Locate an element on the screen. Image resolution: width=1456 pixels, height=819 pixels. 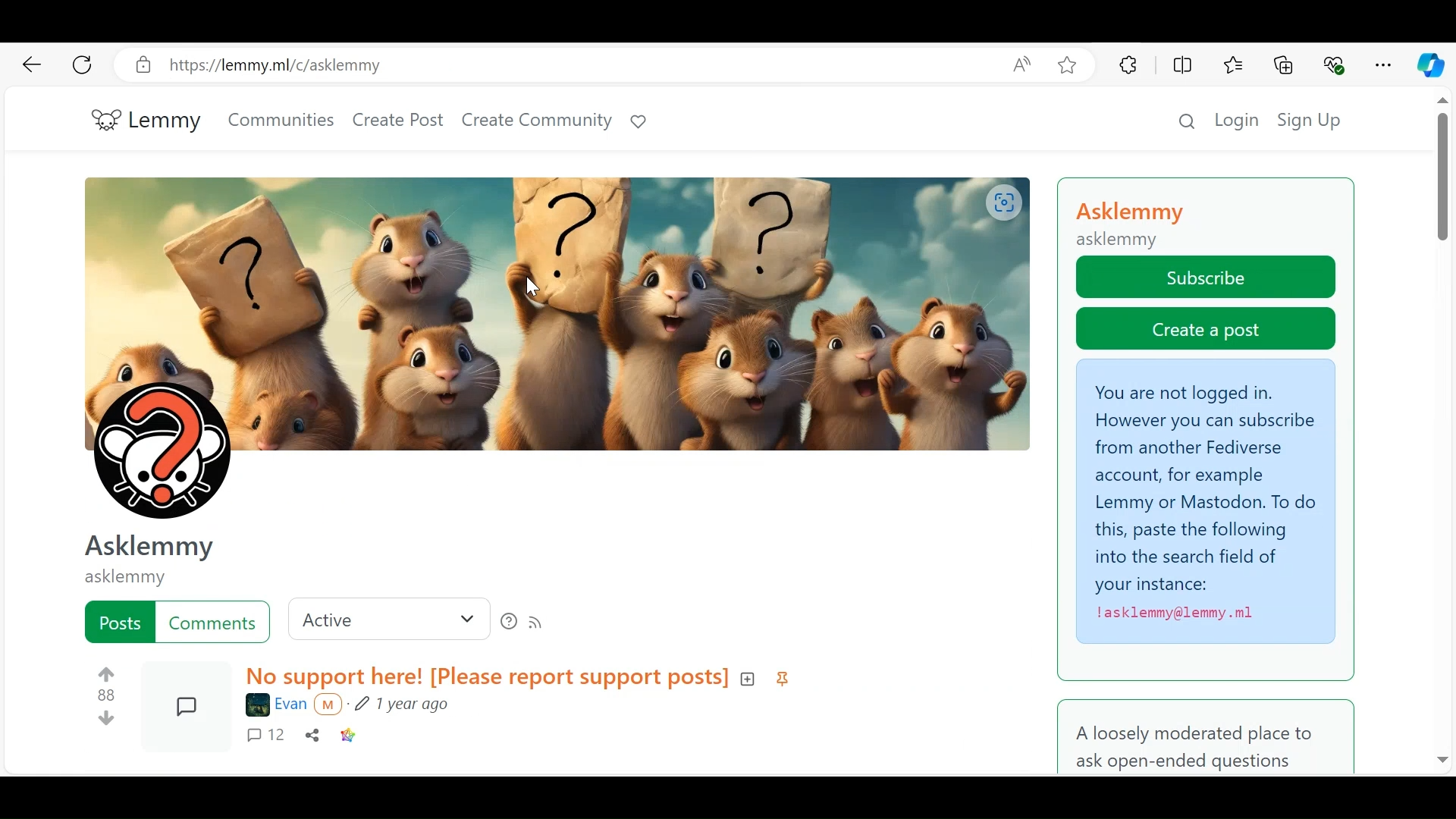
Support lemmy is located at coordinates (639, 121).